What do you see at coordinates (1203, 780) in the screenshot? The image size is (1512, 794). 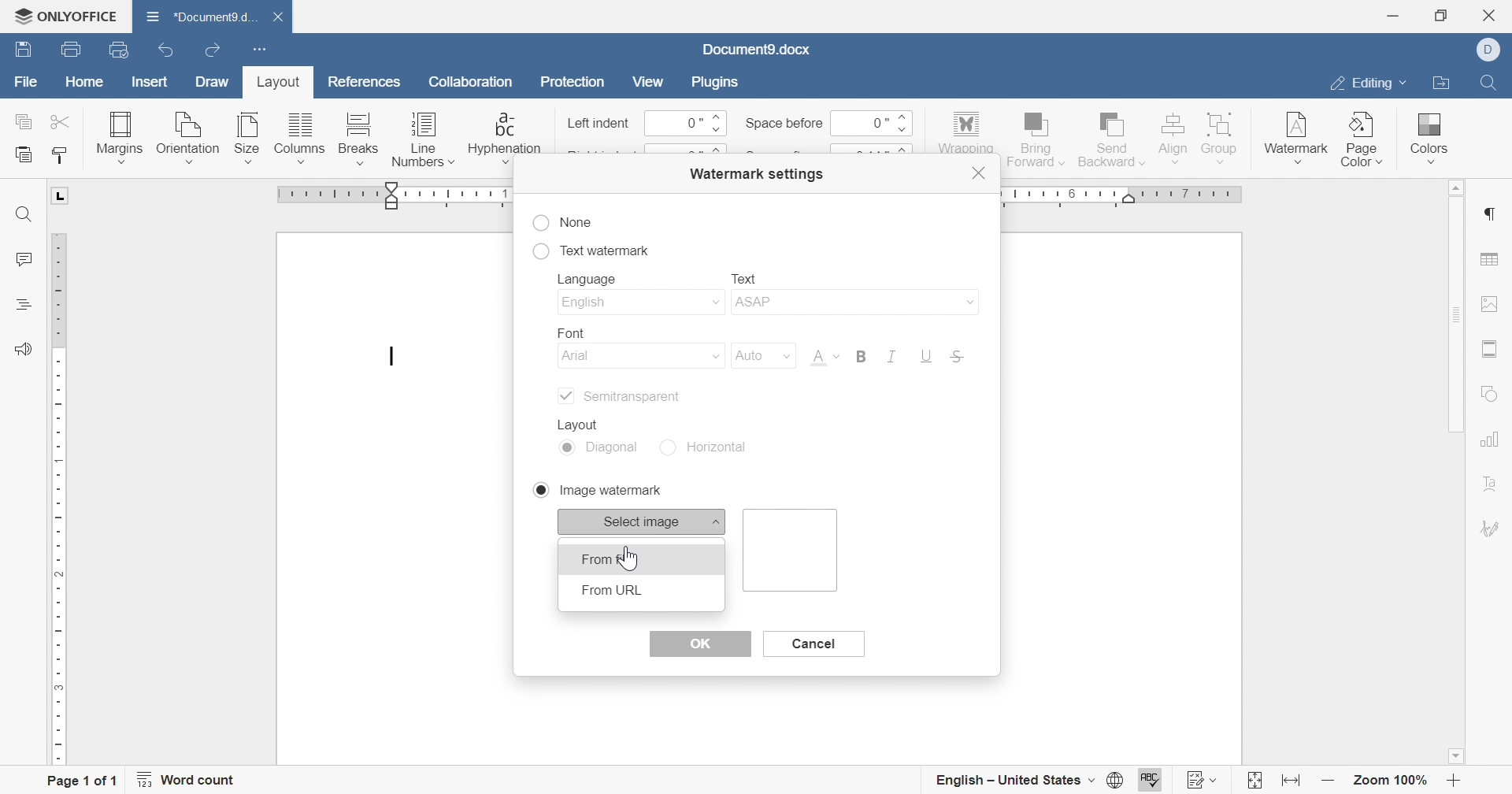 I see `track changes` at bounding box center [1203, 780].